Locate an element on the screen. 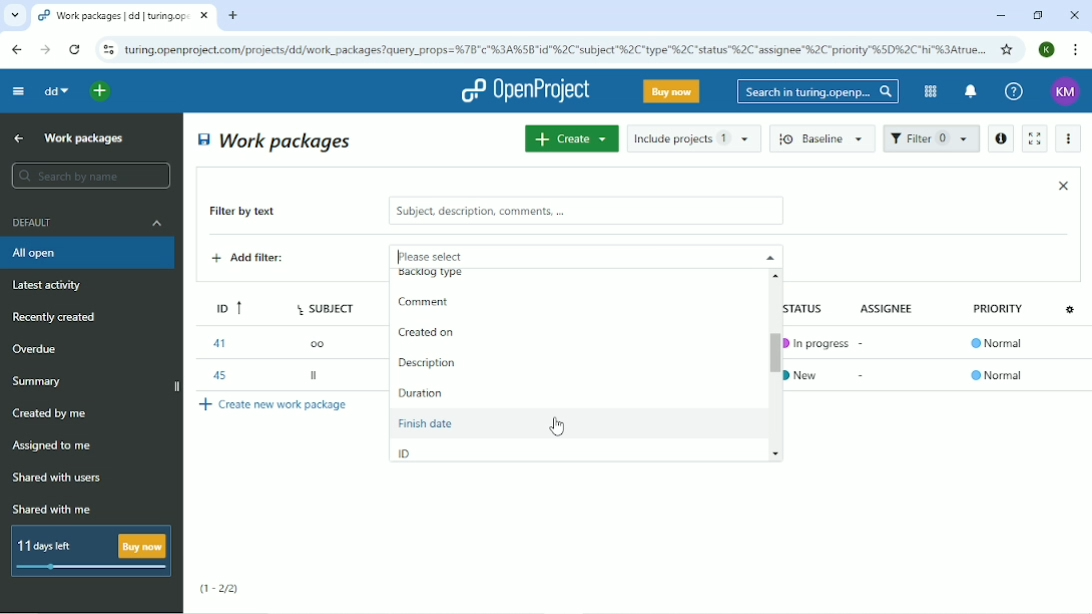 The width and height of the screenshot is (1092, 614). Created on is located at coordinates (427, 335).